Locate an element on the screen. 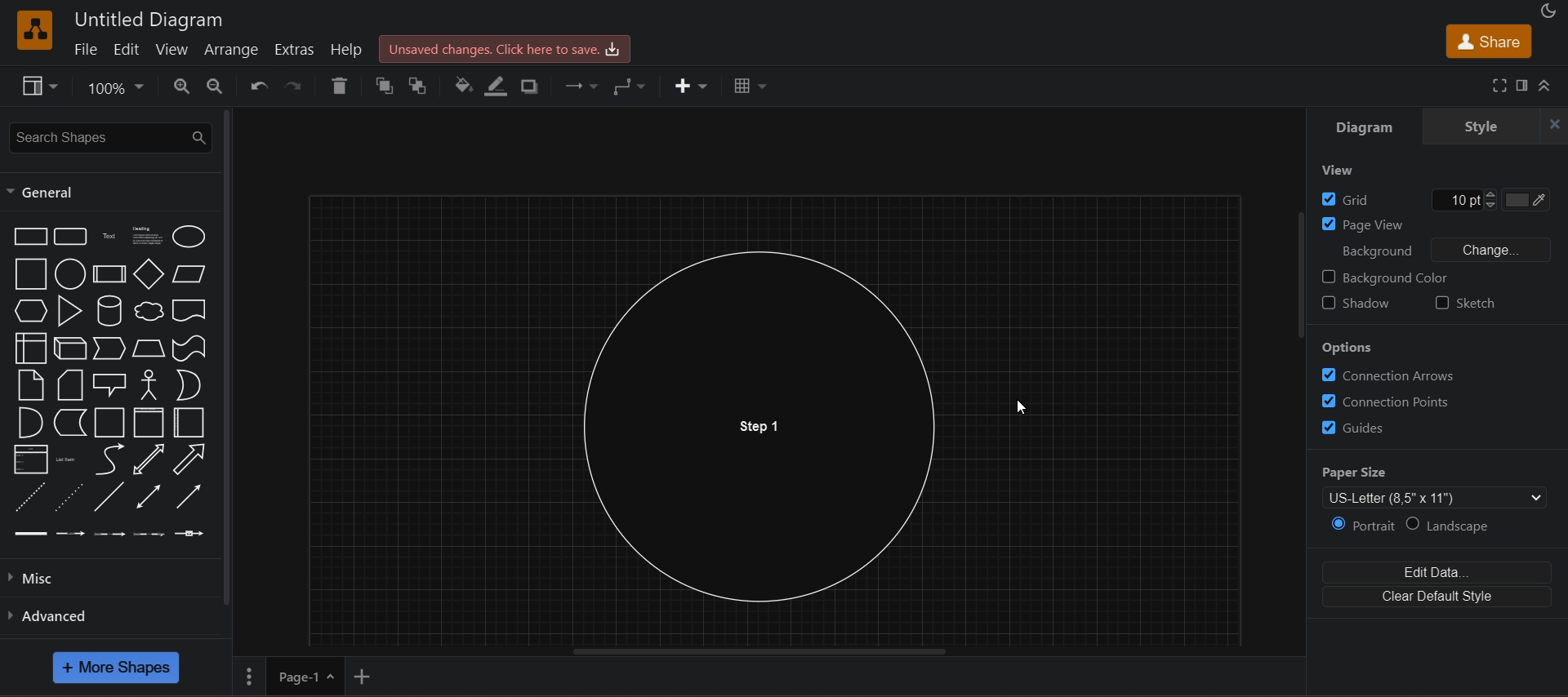 This screenshot has height=697, width=1568. guides is located at coordinates (1347, 428).